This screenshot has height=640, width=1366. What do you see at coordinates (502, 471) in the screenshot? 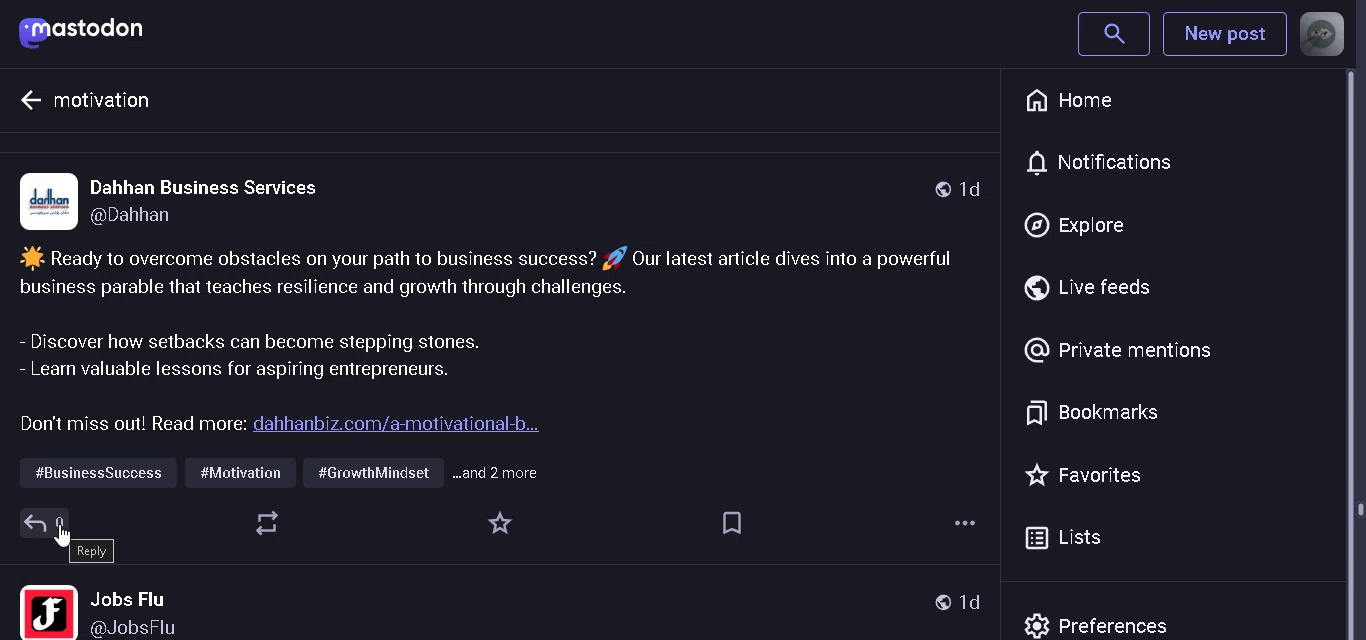
I see `...and 2 more` at bounding box center [502, 471].